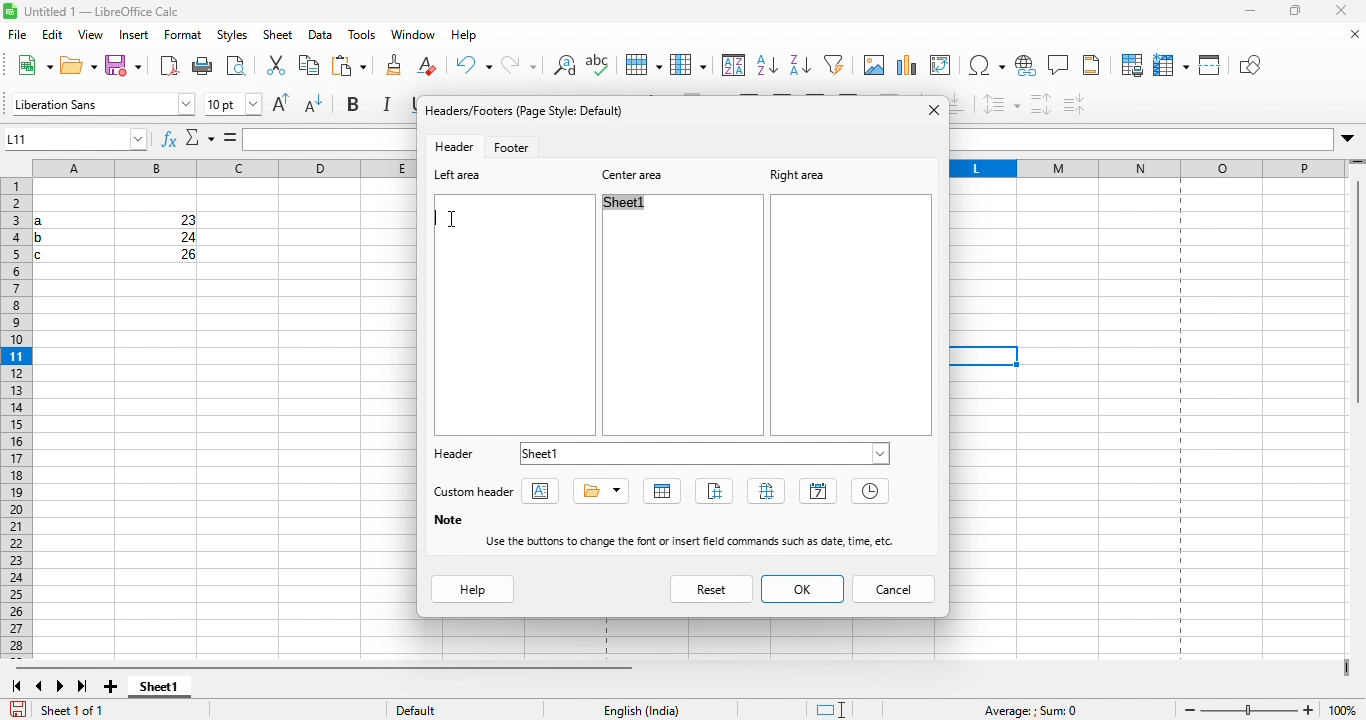  Describe the element at coordinates (458, 219) in the screenshot. I see `cursor movement` at that location.